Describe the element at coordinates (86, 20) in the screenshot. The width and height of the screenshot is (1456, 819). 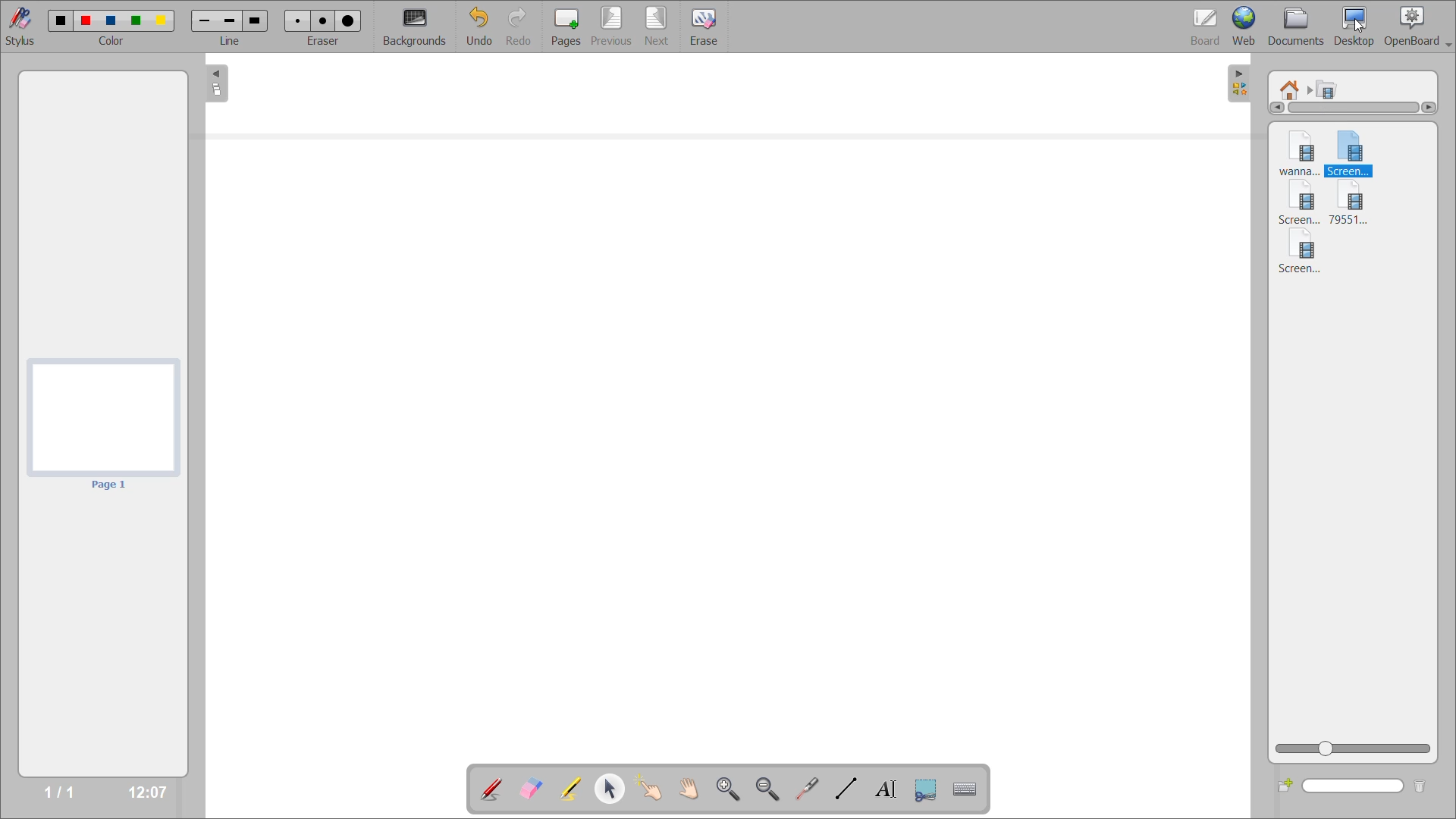
I see `color 2` at that location.